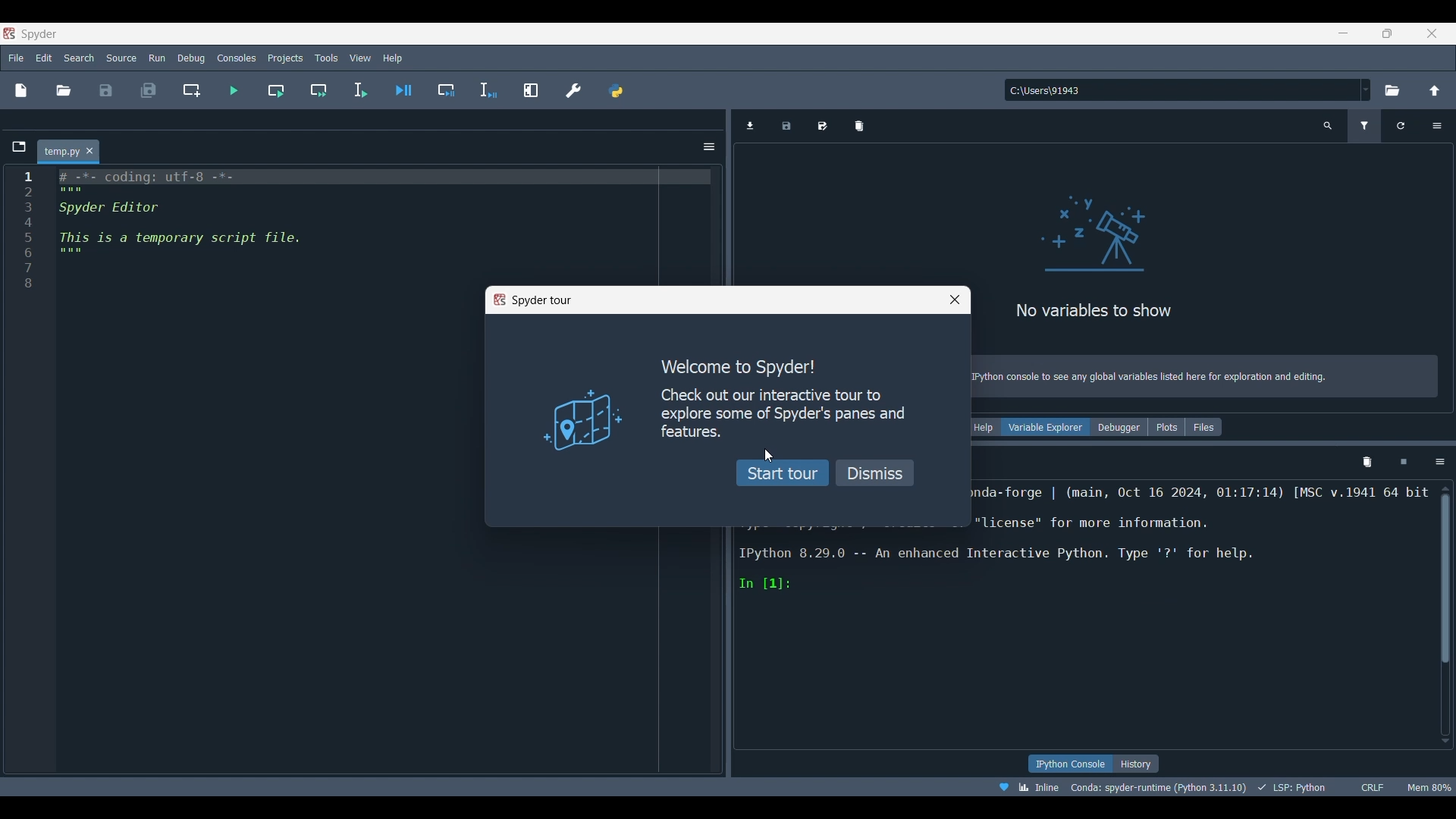 This screenshot has height=819, width=1456. I want to click on history, so click(1142, 763).